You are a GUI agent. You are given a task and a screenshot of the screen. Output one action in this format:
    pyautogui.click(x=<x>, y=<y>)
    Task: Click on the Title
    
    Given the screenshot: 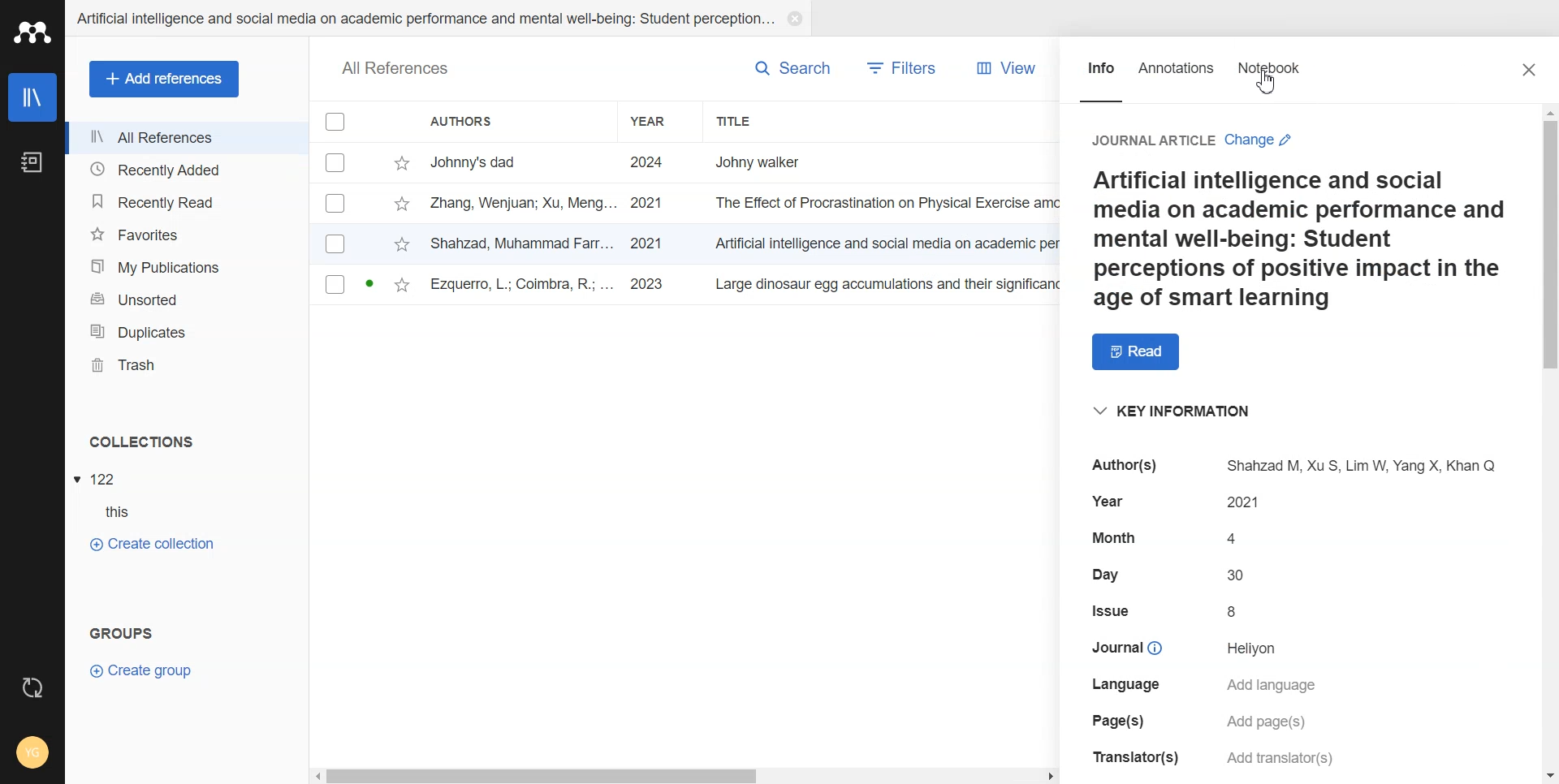 What is the action you would take?
    pyautogui.click(x=767, y=121)
    